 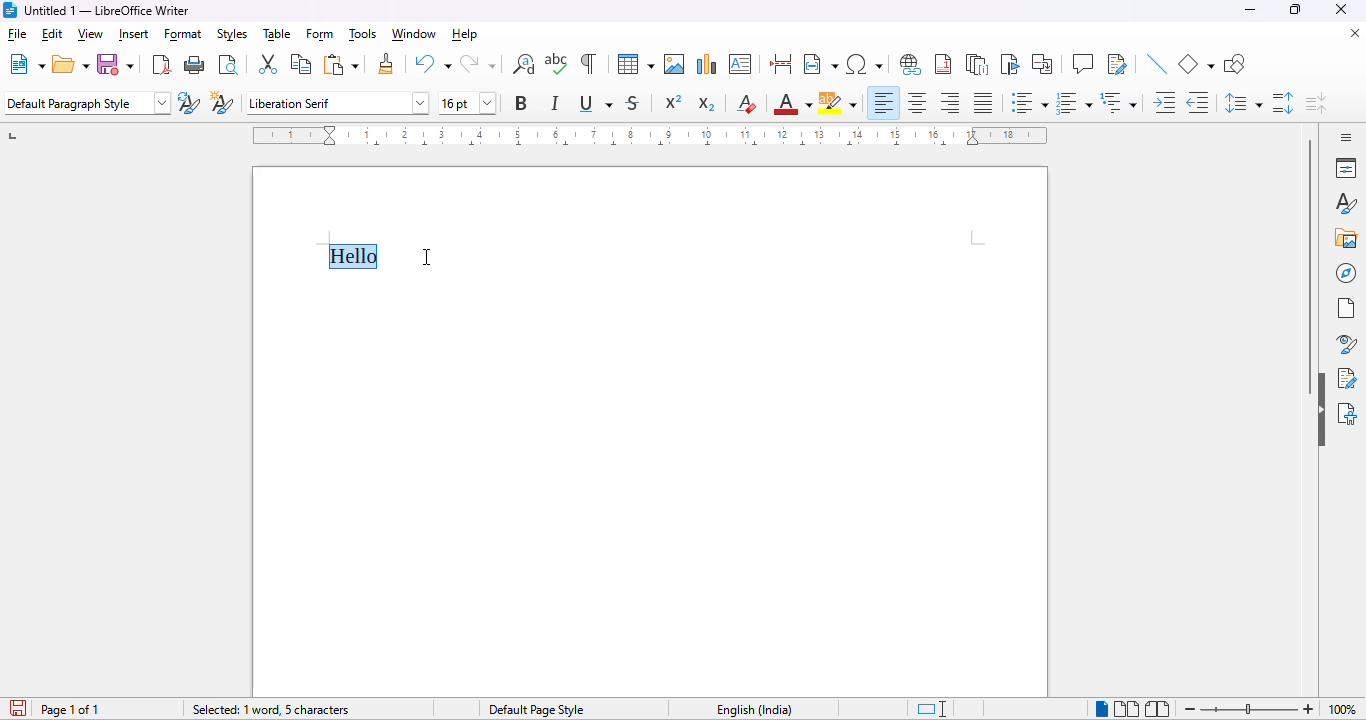 I want to click on Hello, so click(x=354, y=257).